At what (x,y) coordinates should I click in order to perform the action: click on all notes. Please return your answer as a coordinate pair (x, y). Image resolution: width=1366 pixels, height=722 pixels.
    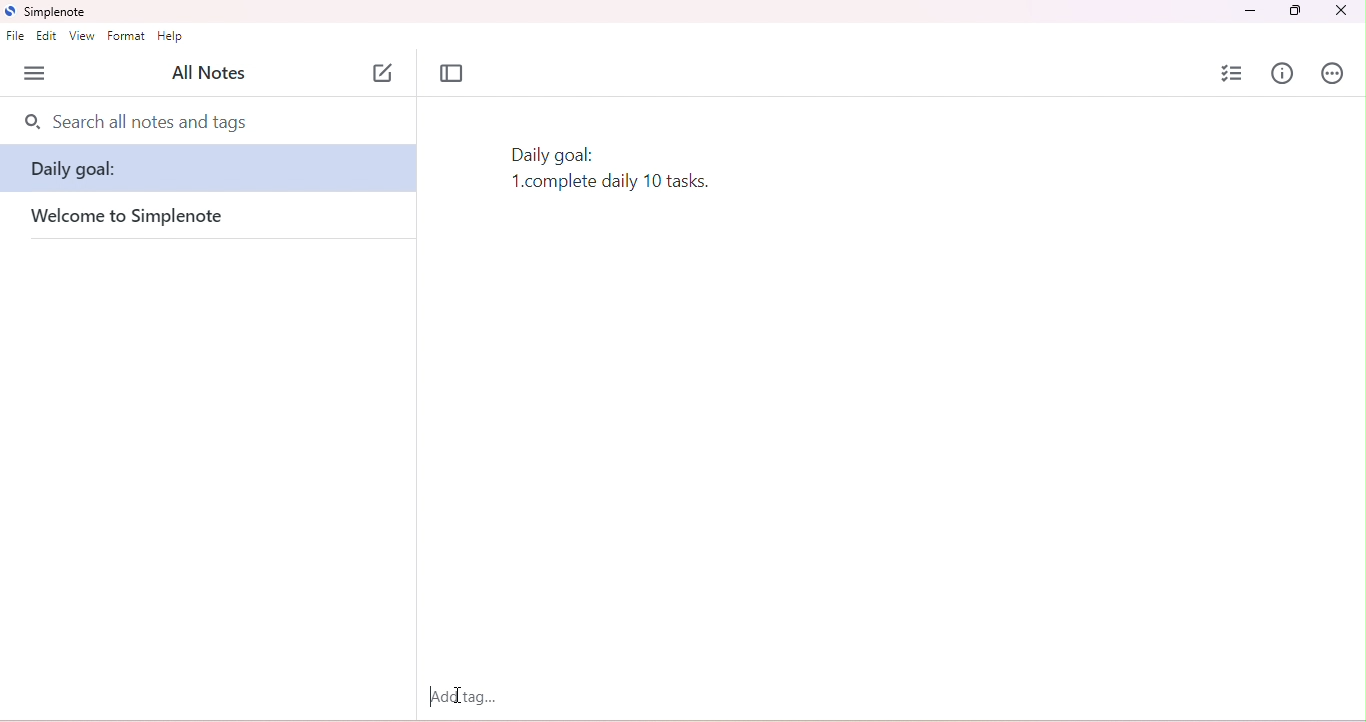
    Looking at the image, I should click on (208, 72).